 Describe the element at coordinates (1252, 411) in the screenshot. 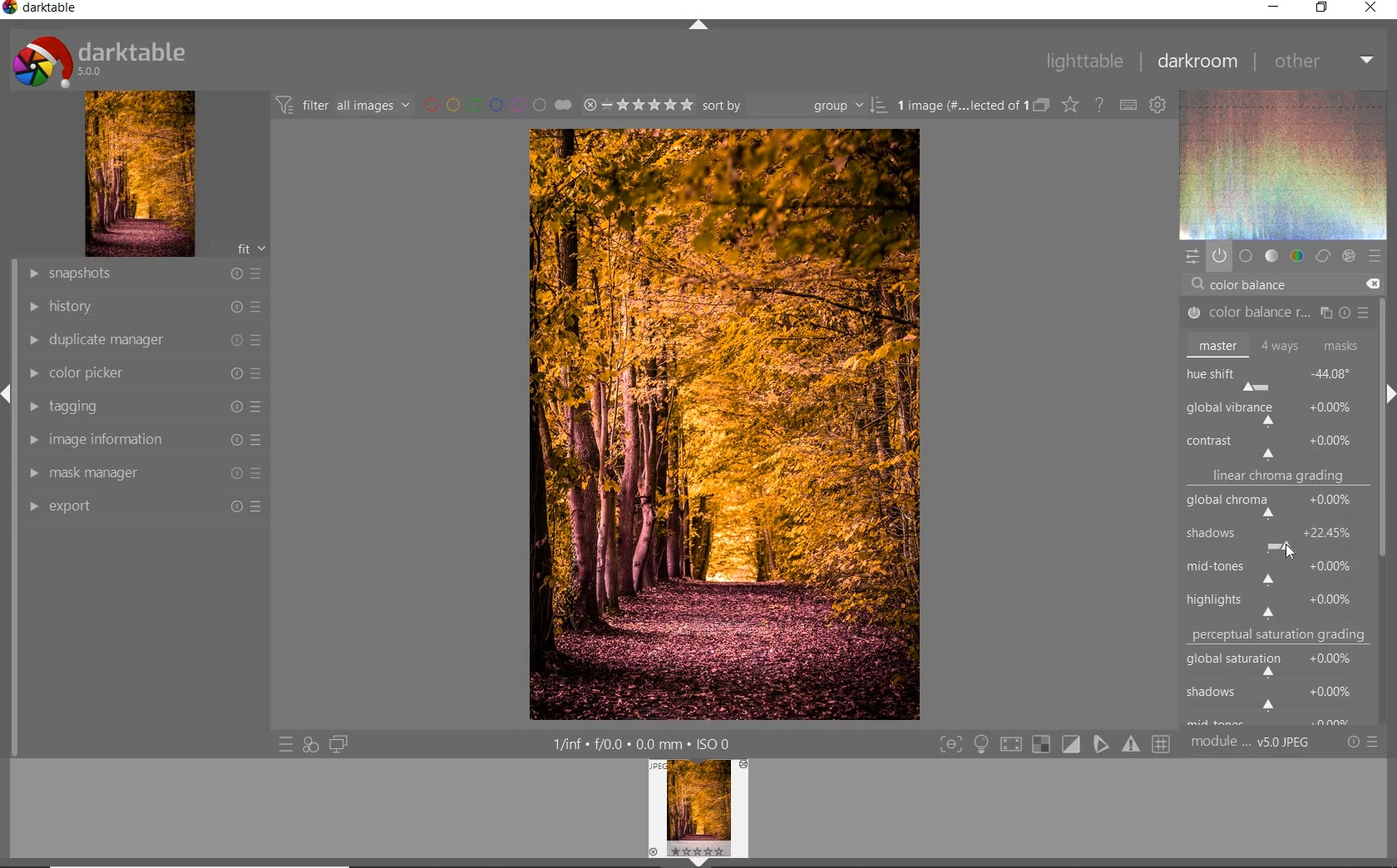

I see `ROTATE ALL HUES BY AN ANGLE AT THE SAME LUMINANCE` at that location.